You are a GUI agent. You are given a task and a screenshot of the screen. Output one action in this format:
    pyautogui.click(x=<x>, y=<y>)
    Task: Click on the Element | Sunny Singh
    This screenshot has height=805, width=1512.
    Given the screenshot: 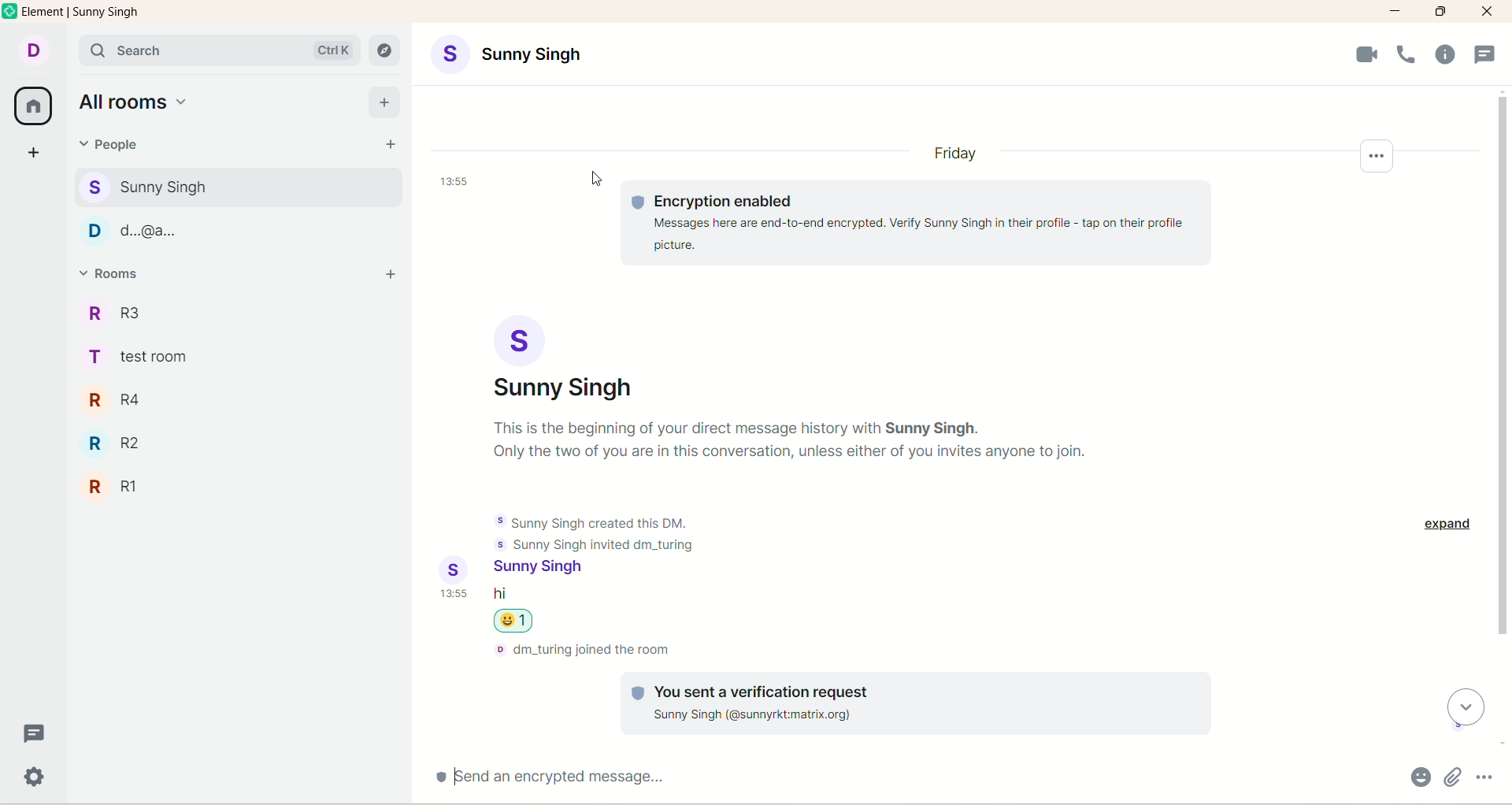 What is the action you would take?
    pyautogui.click(x=80, y=11)
    